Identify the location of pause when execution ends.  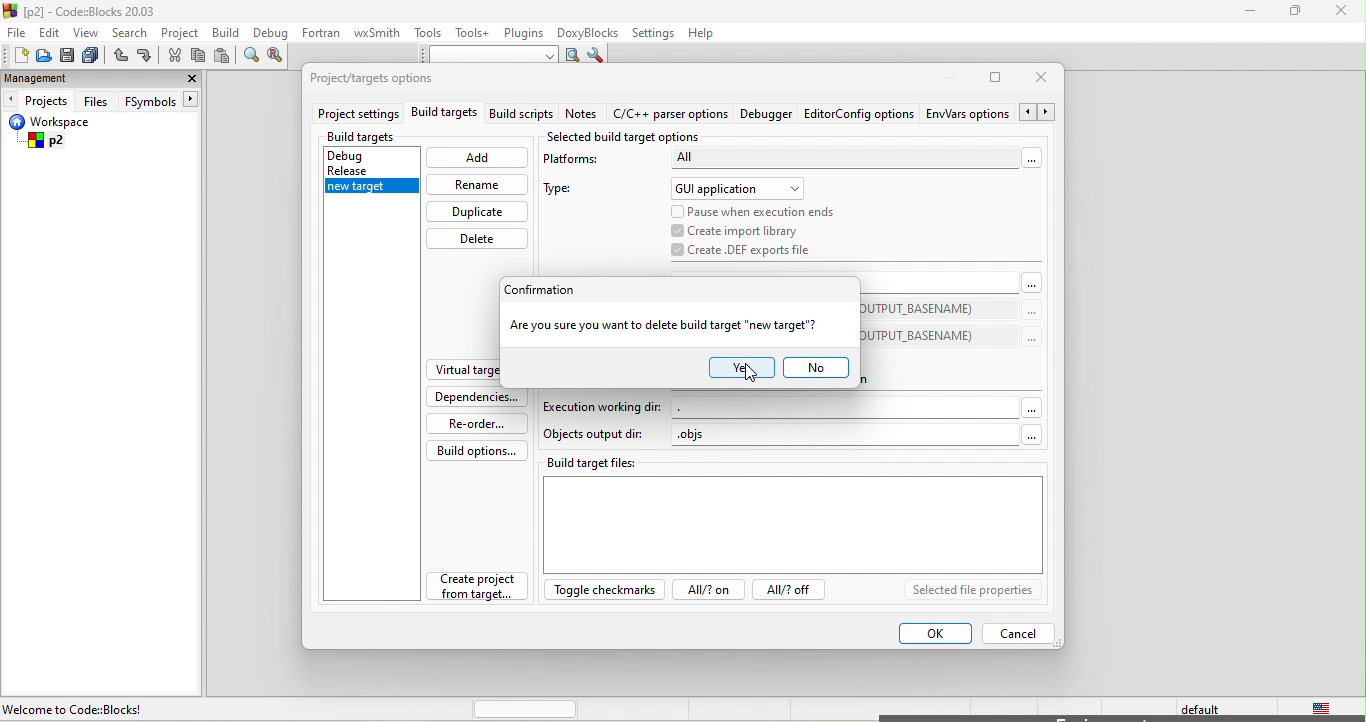
(763, 210).